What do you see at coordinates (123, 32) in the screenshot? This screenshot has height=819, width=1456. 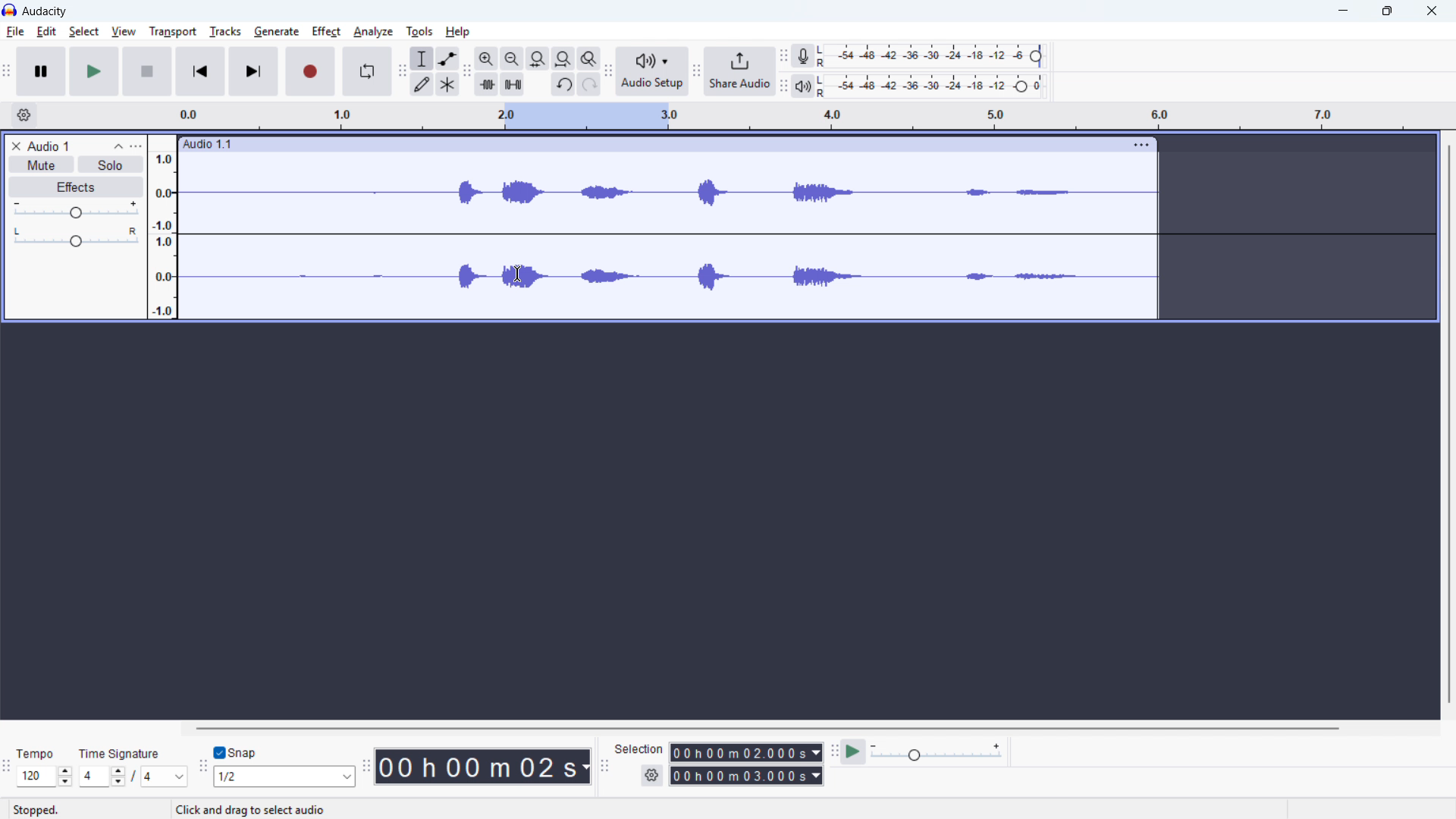 I see `View` at bounding box center [123, 32].